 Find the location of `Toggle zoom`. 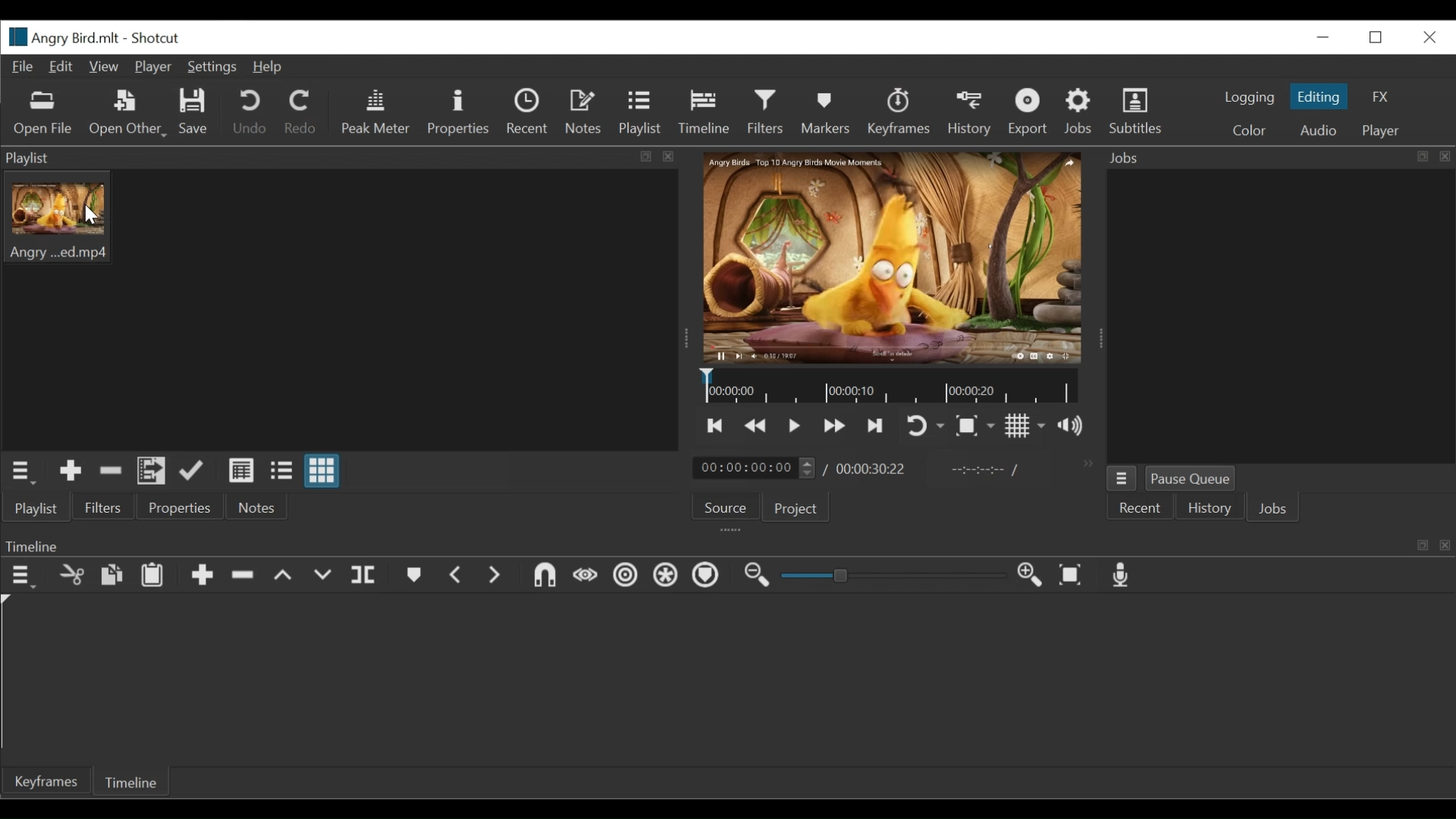

Toggle zoom is located at coordinates (974, 426).